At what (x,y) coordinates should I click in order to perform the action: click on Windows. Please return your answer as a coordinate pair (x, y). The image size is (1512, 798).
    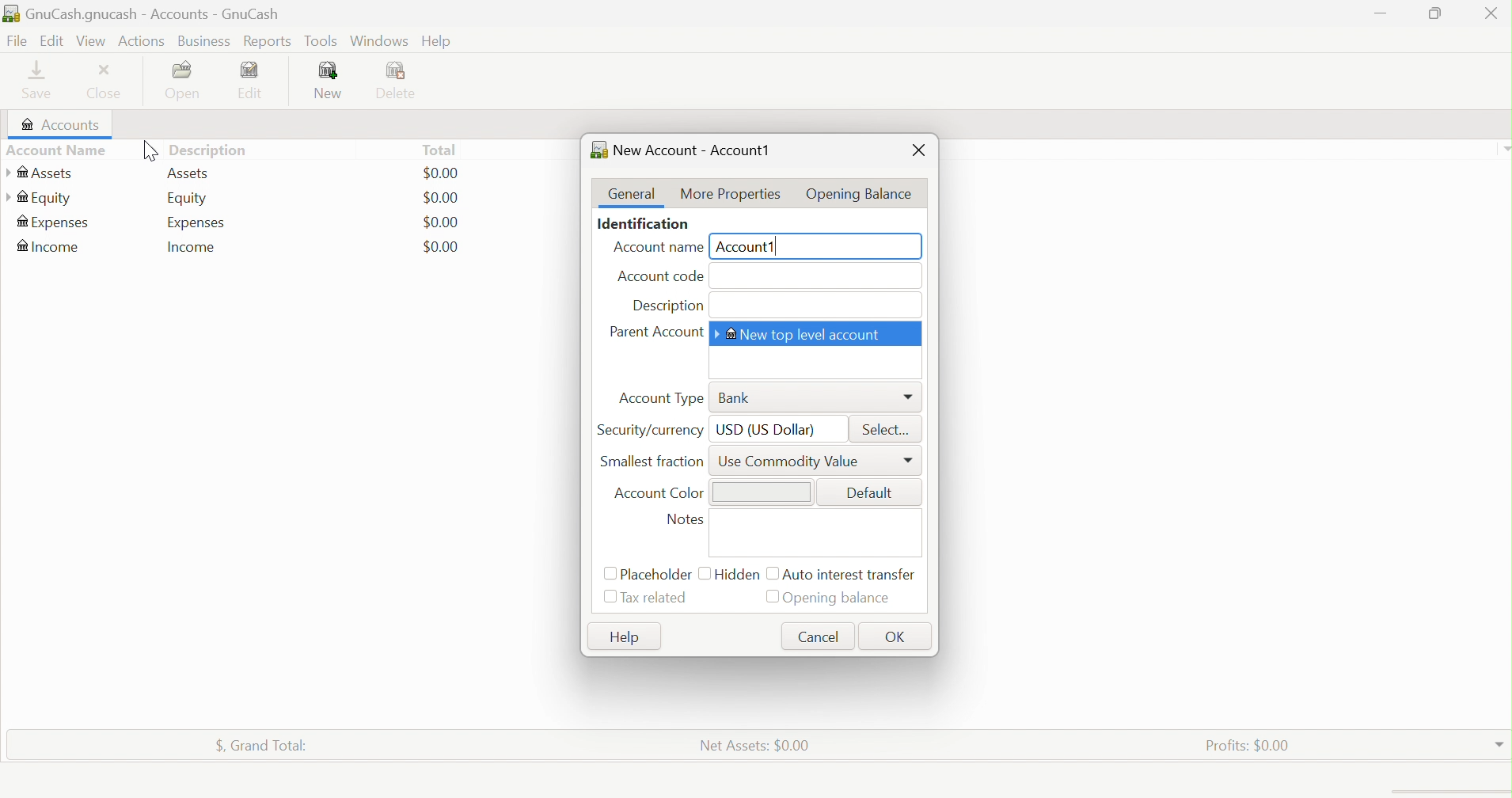
    Looking at the image, I should click on (378, 40).